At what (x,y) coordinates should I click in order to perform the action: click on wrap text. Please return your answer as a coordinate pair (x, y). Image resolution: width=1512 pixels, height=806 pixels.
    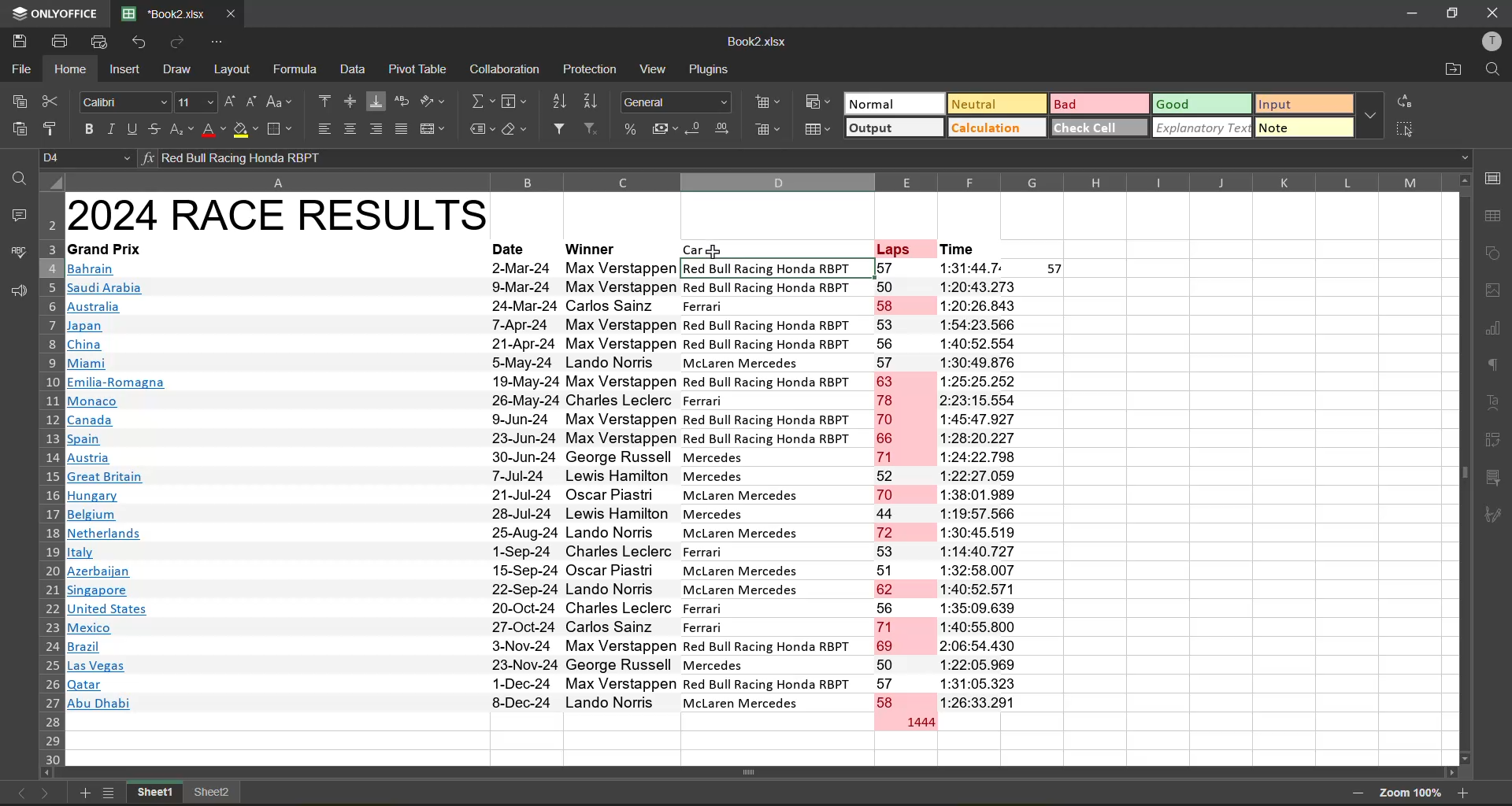
    Looking at the image, I should click on (401, 103).